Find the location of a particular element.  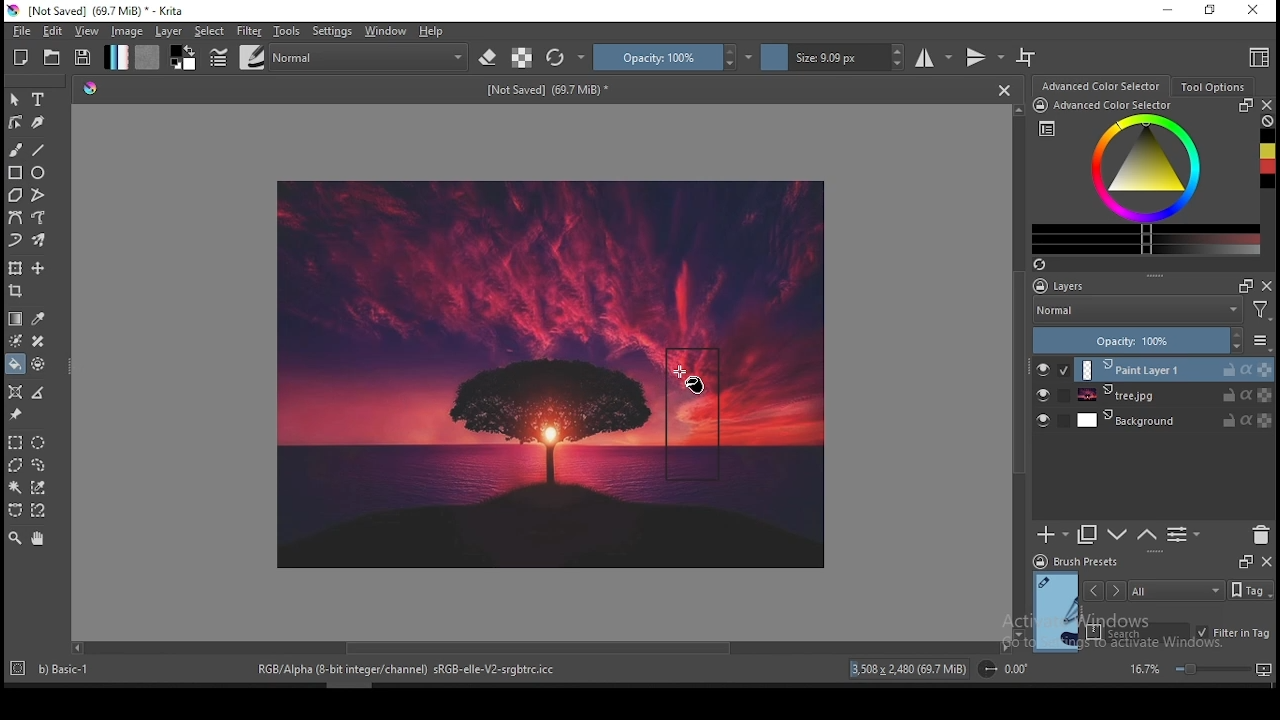

layer visibility on/off is located at coordinates (1043, 419).